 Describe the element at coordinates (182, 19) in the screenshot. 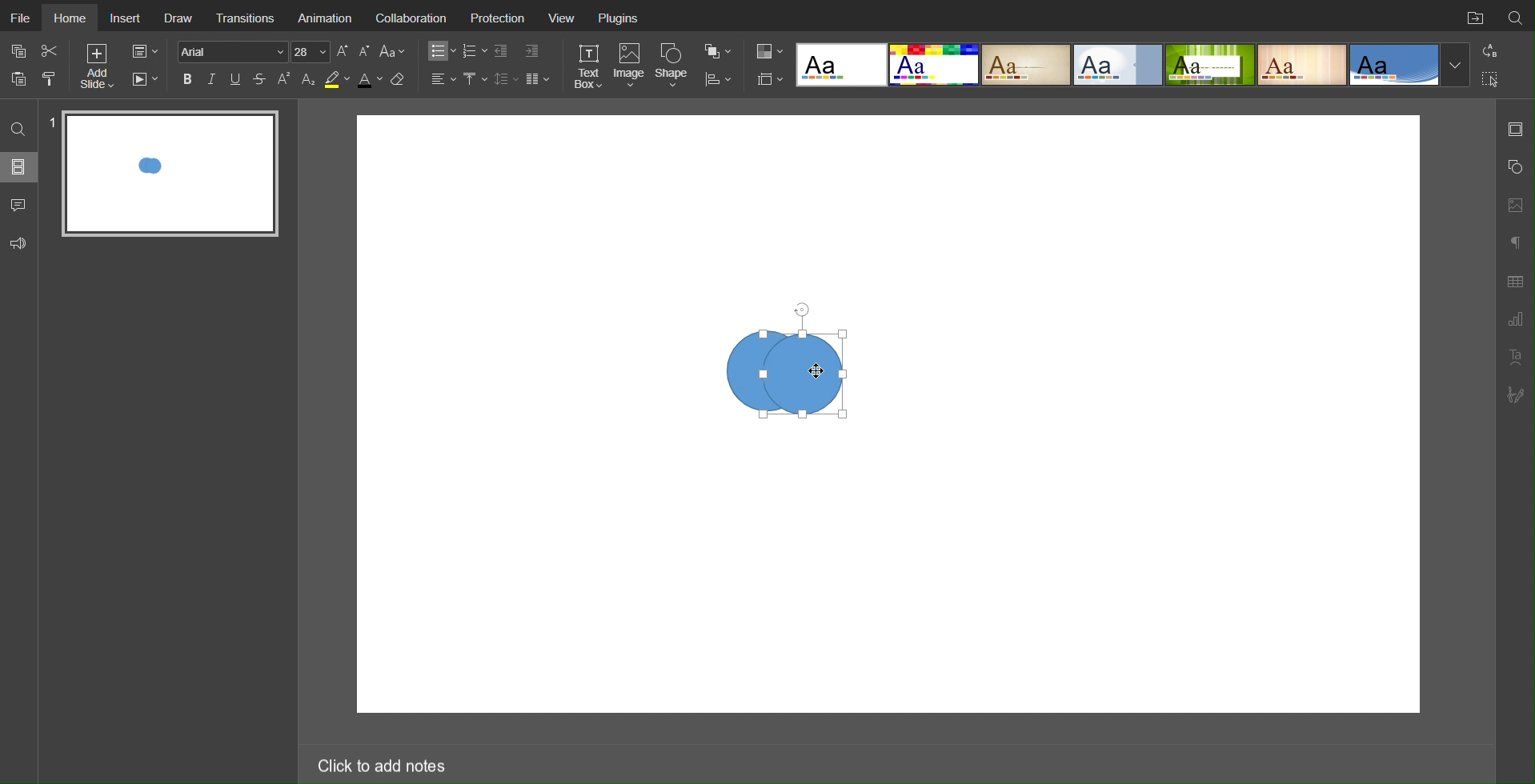

I see `Draw` at that location.